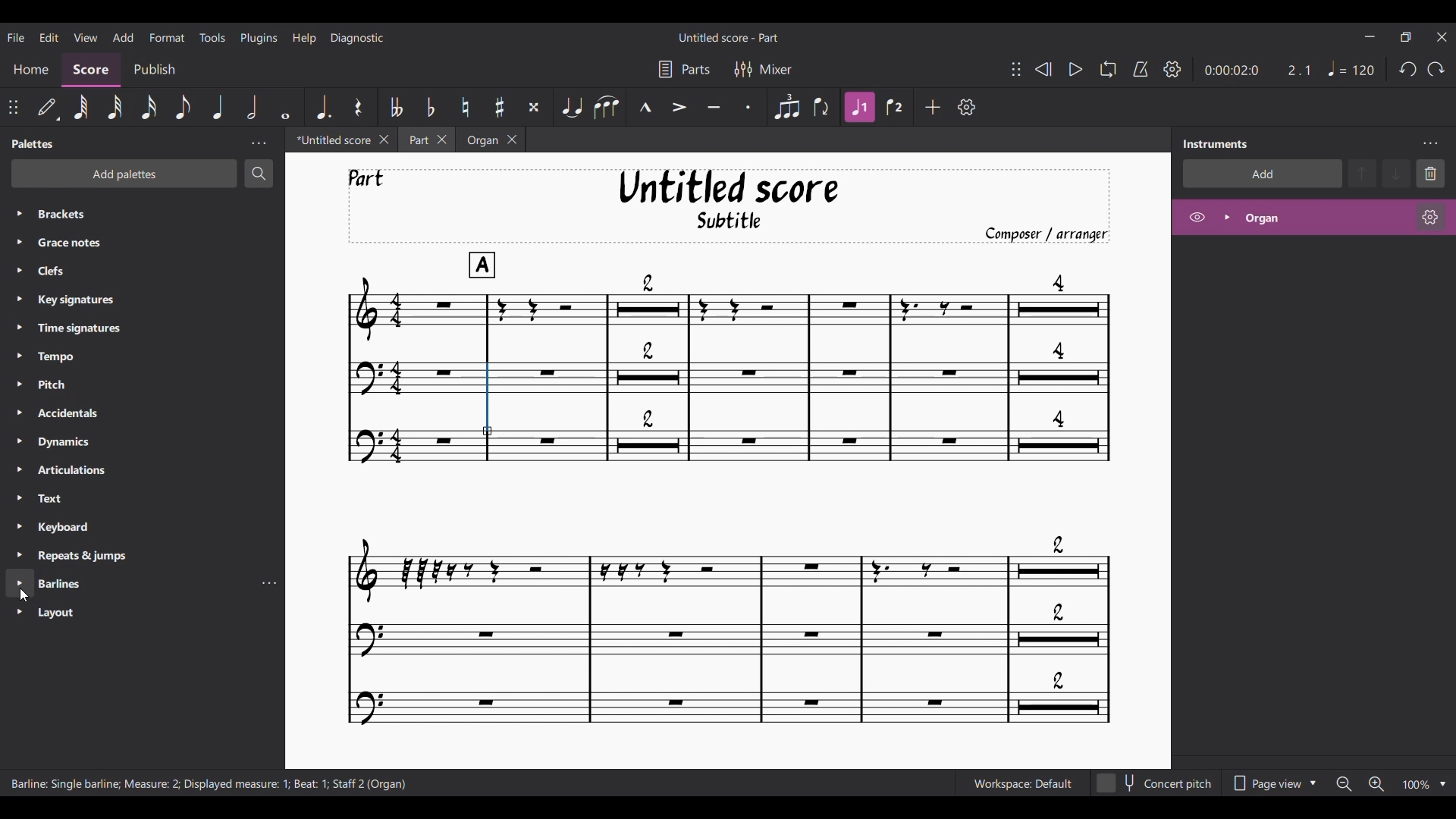 The image size is (1456, 819). I want to click on Diagnostic menu, so click(357, 38).